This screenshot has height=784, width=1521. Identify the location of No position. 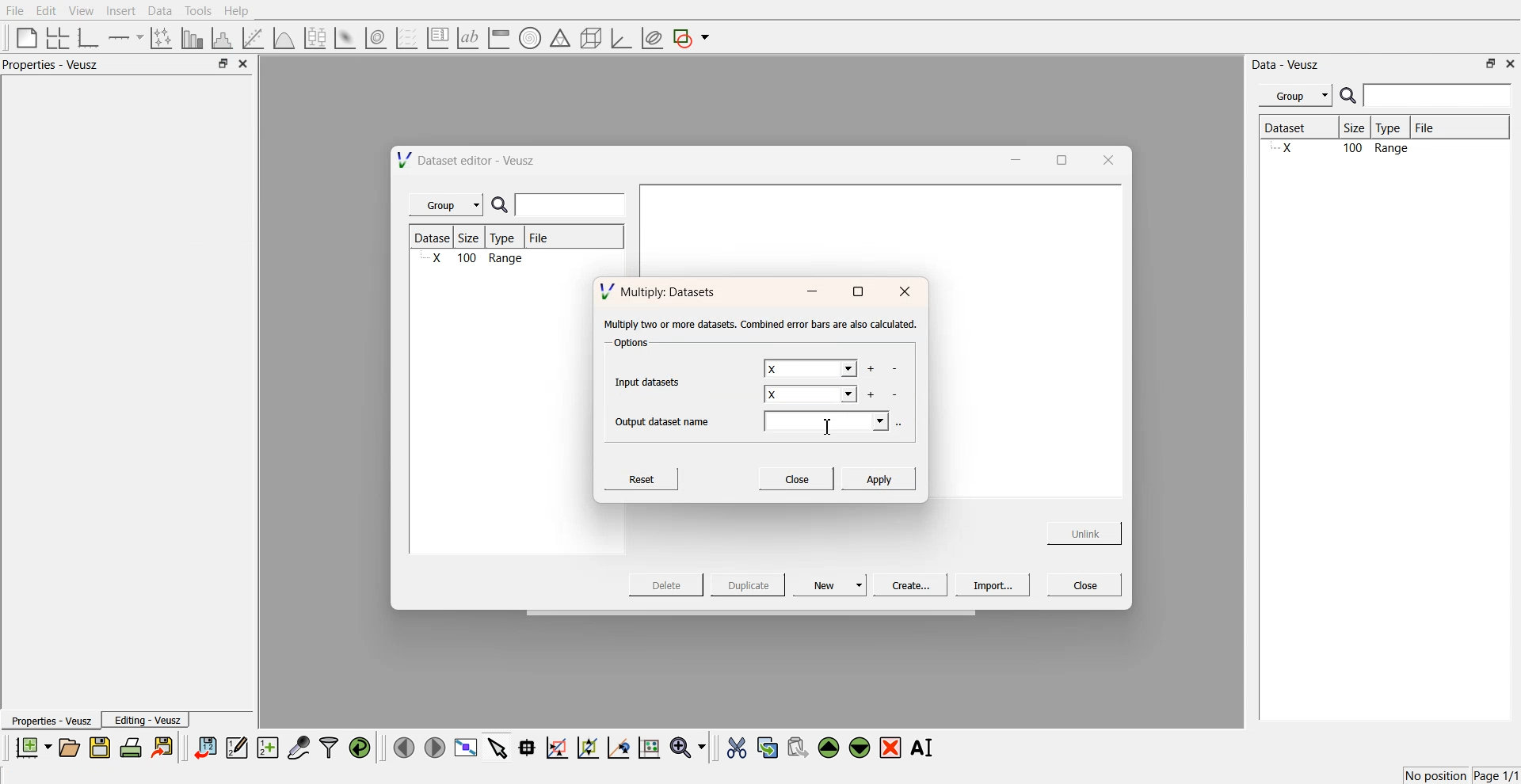
(1438, 774).